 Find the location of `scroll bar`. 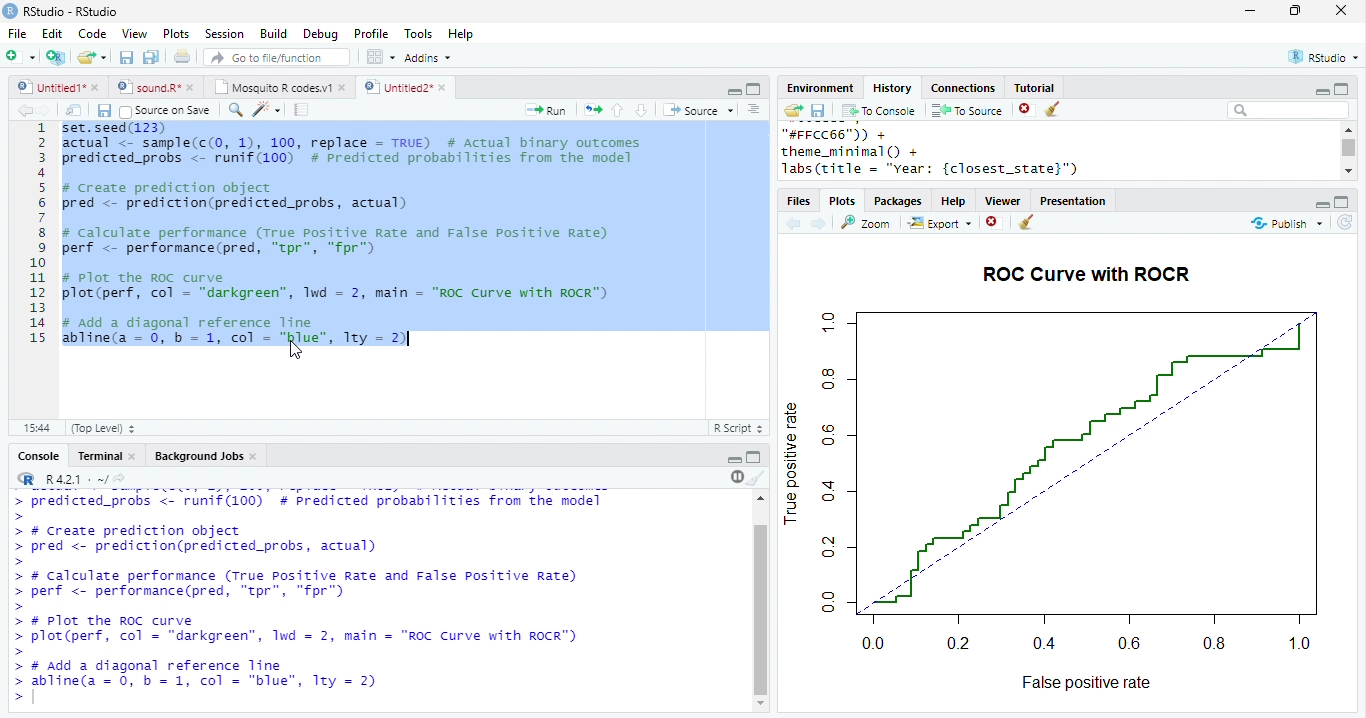

scroll bar is located at coordinates (763, 609).